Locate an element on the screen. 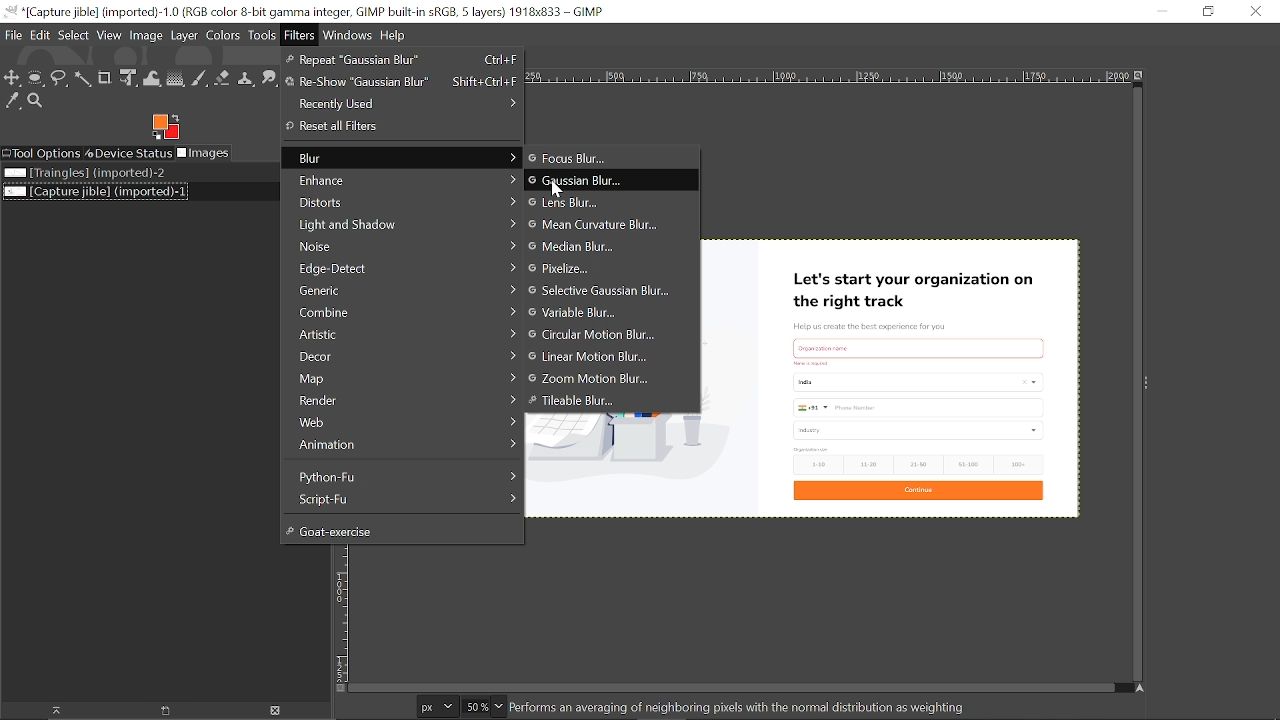  Generic is located at coordinates (402, 290).